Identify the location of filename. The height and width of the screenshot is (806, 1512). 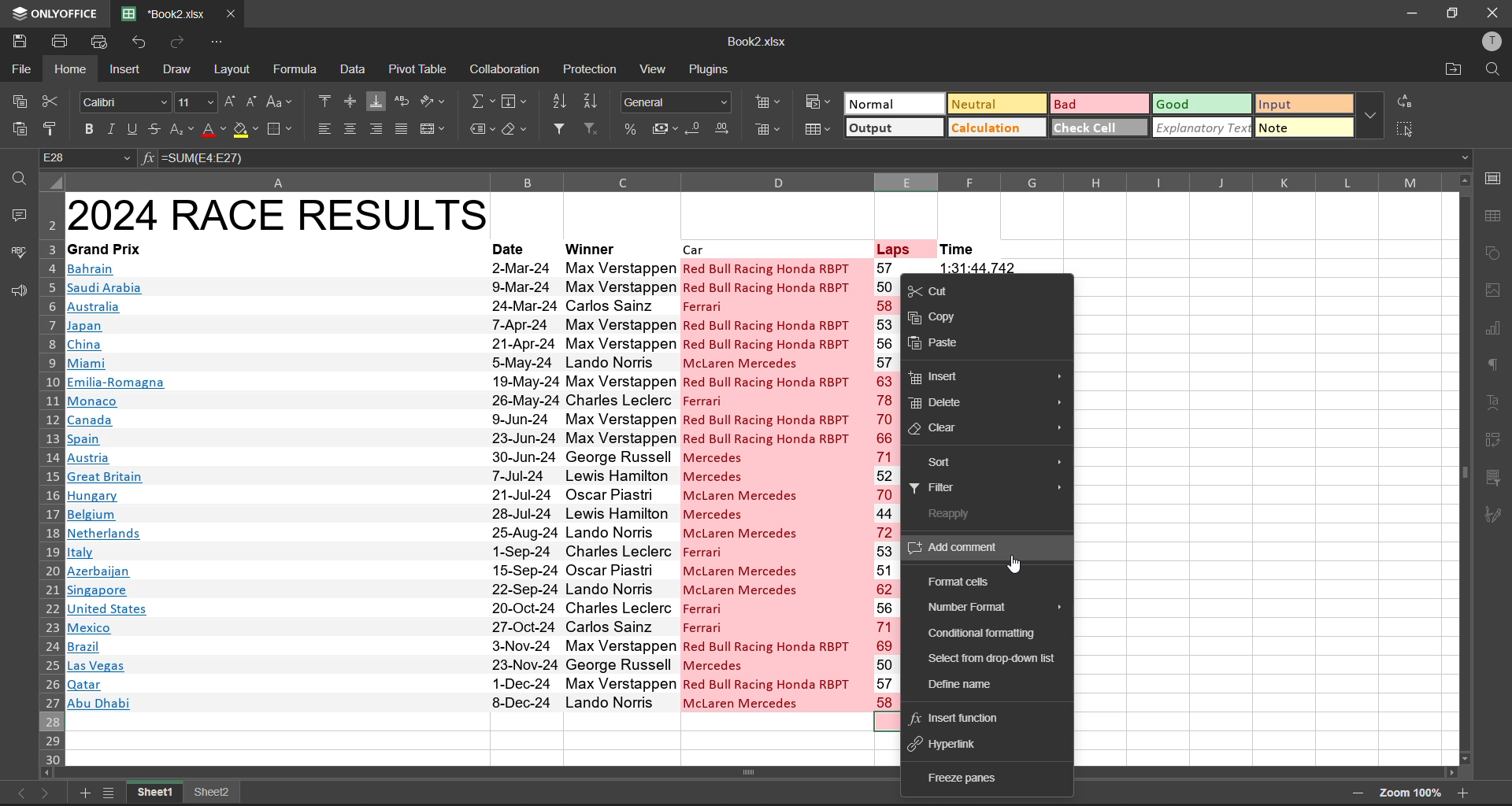
(760, 43).